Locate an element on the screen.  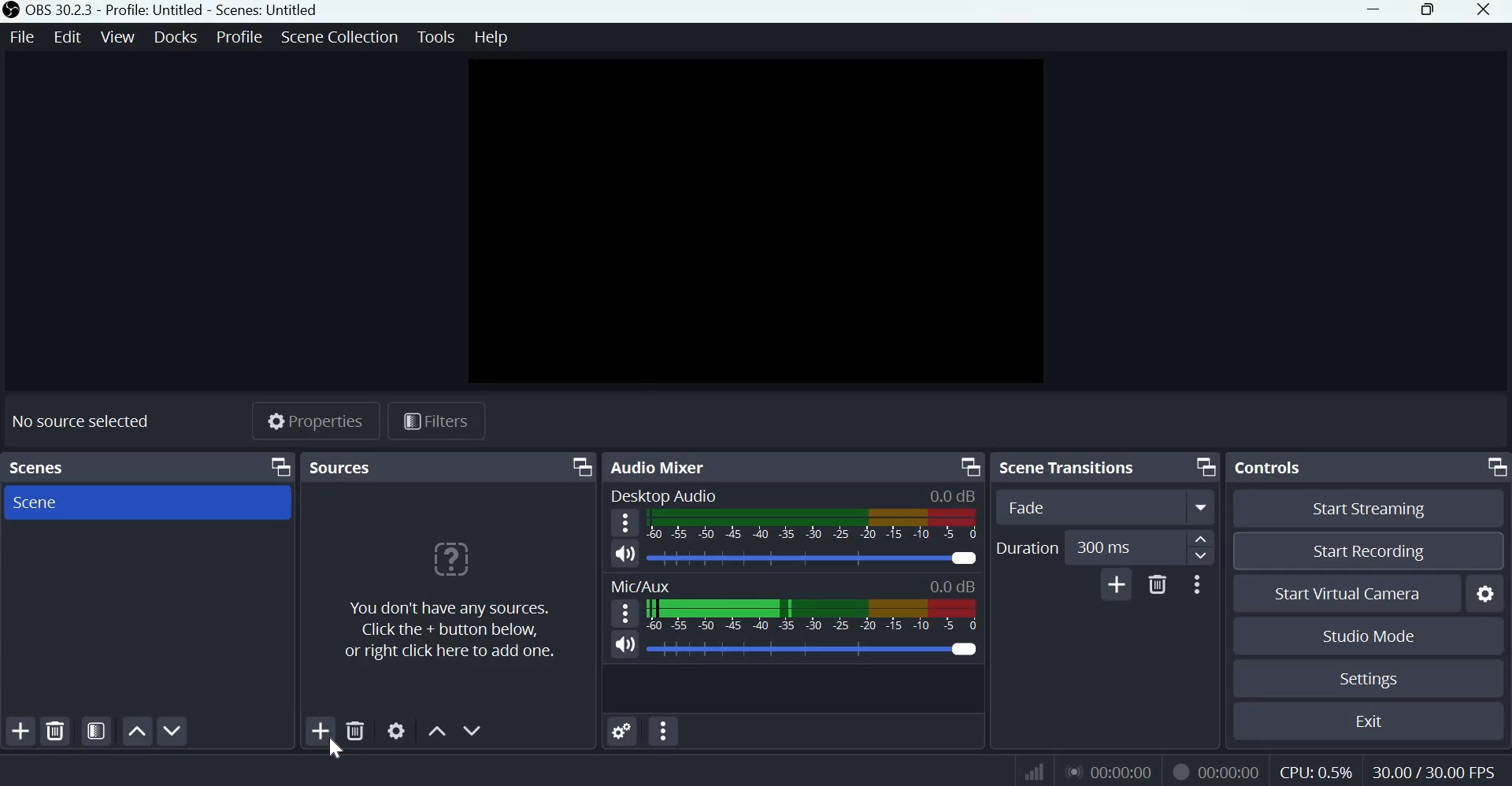
You don't have any sources. Click the + button below, or right click here to add more. is located at coordinates (450, 593).